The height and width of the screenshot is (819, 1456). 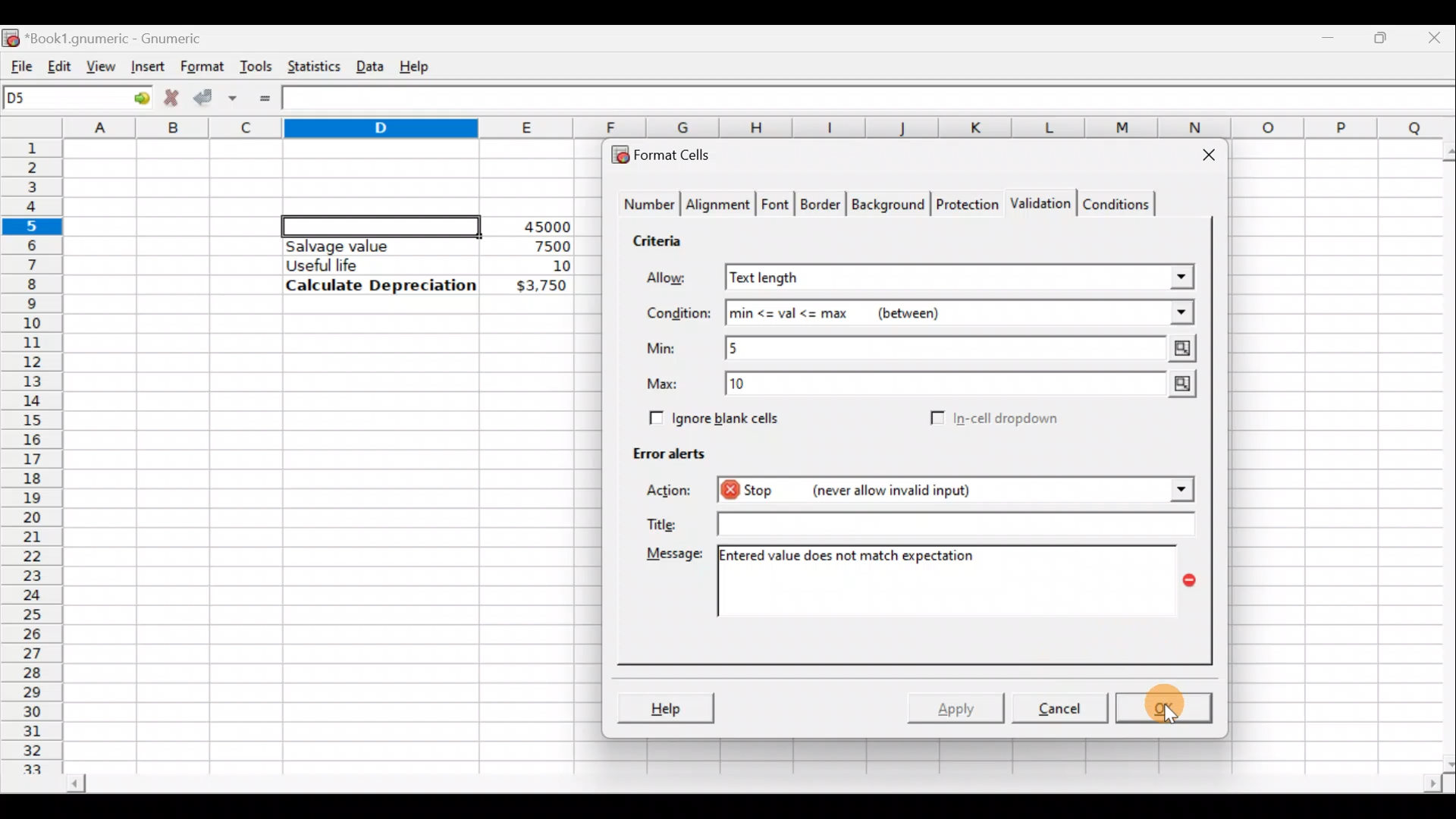 I want to click on 10, so click(x=543, y=266).